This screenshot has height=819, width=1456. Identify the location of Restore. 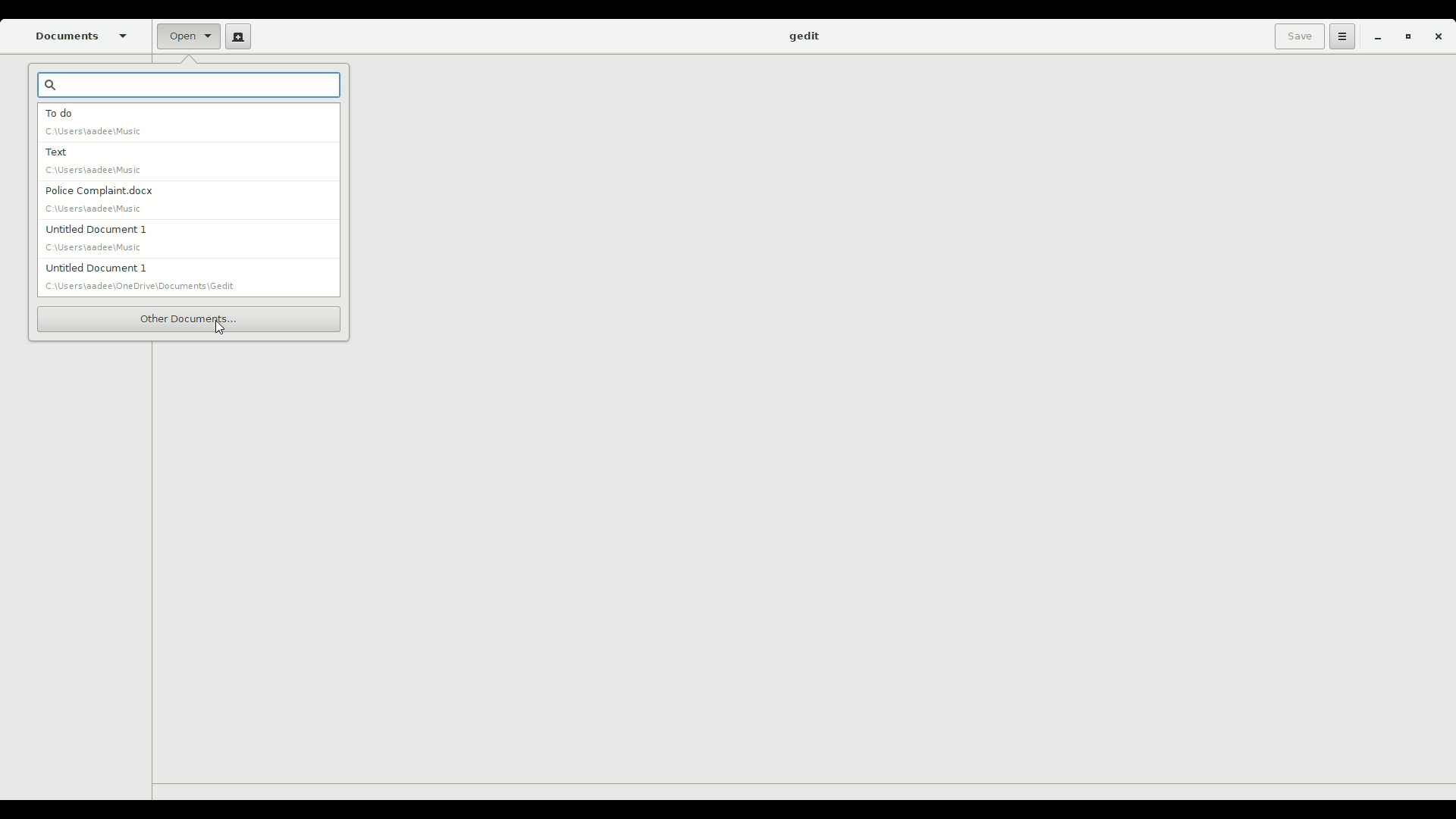
(1404, 38).